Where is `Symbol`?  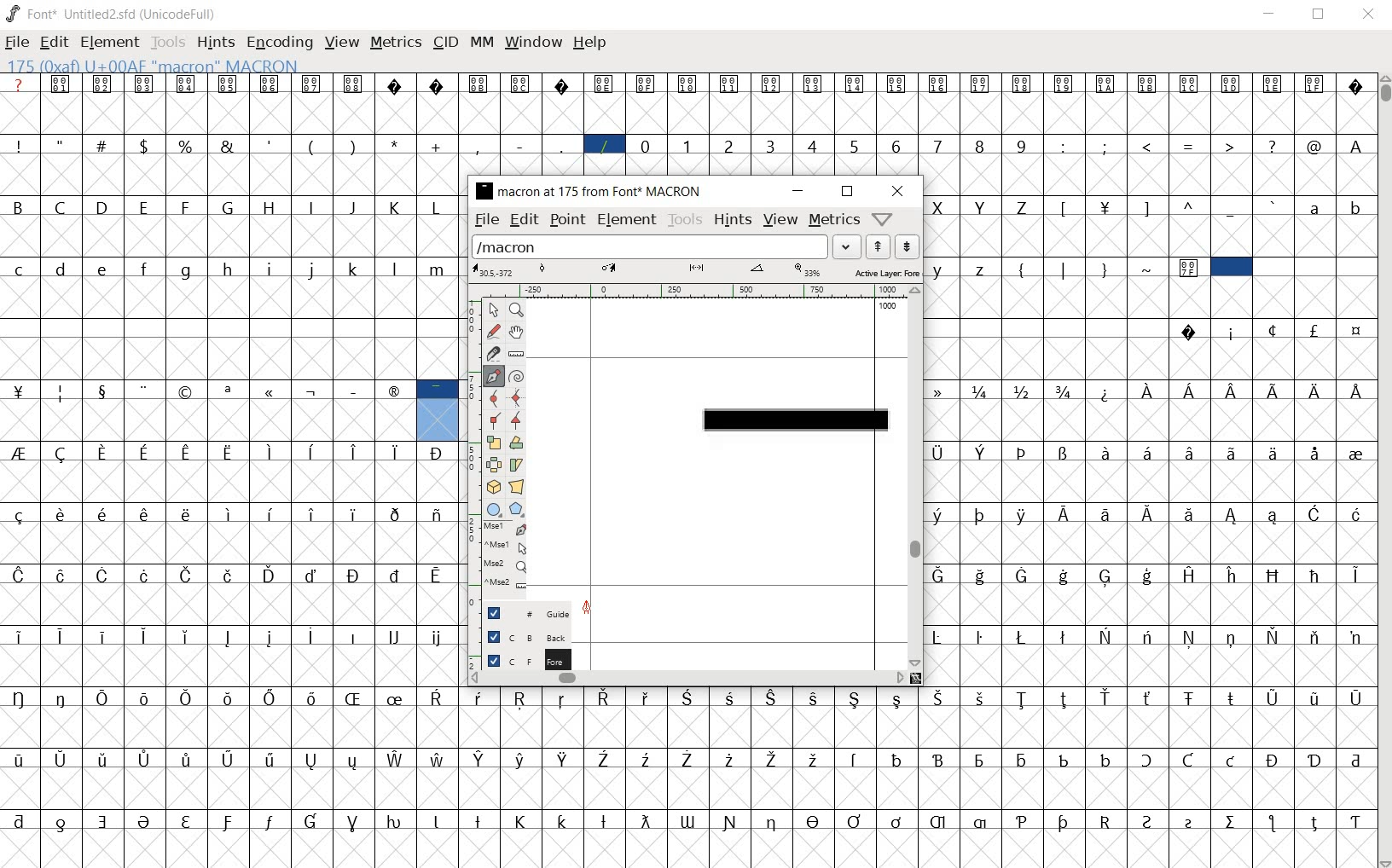
Symbol is located at coordinates (941, 391).